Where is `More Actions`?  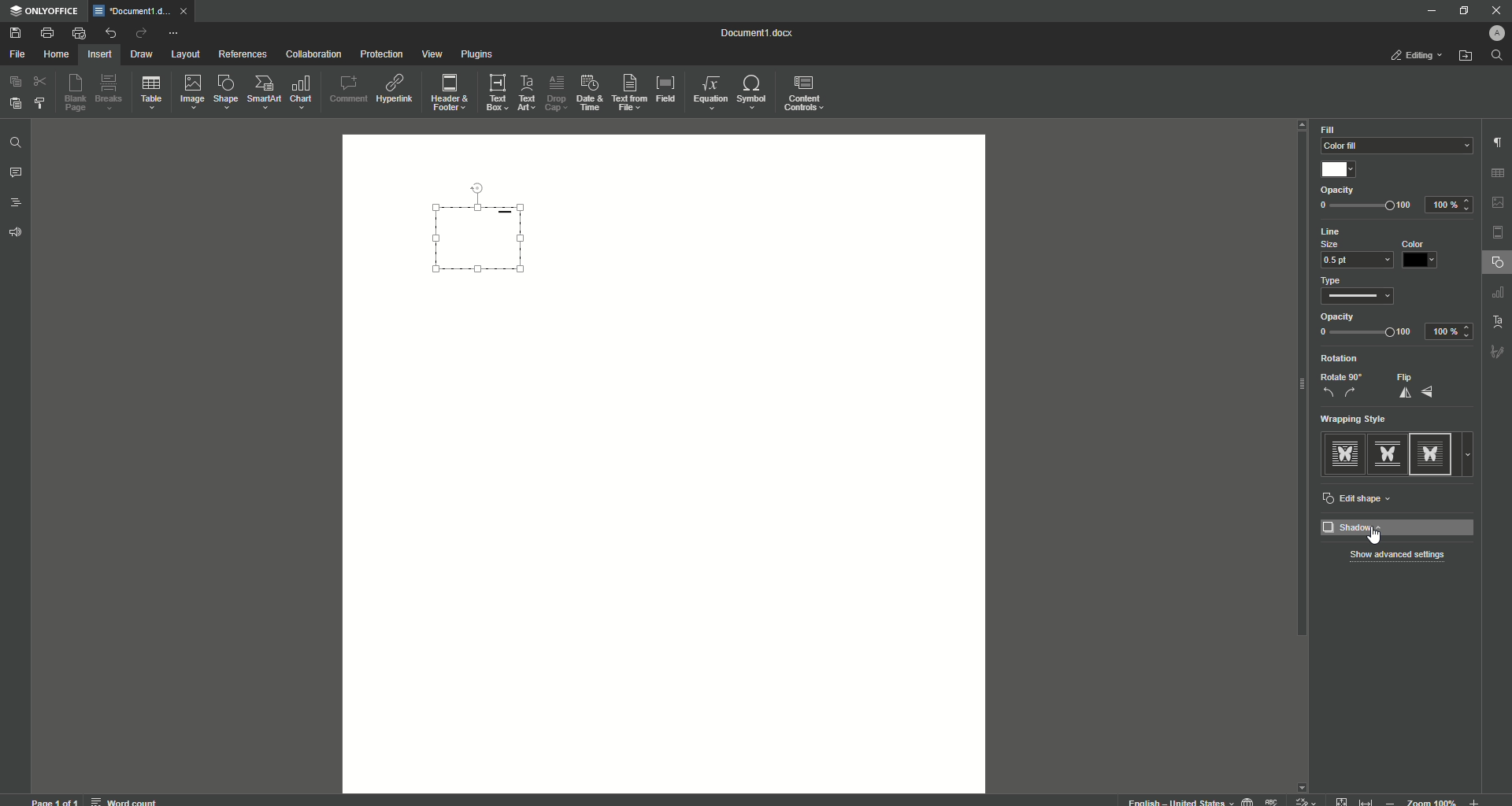 More Actions is located at coordinates (172, 35).